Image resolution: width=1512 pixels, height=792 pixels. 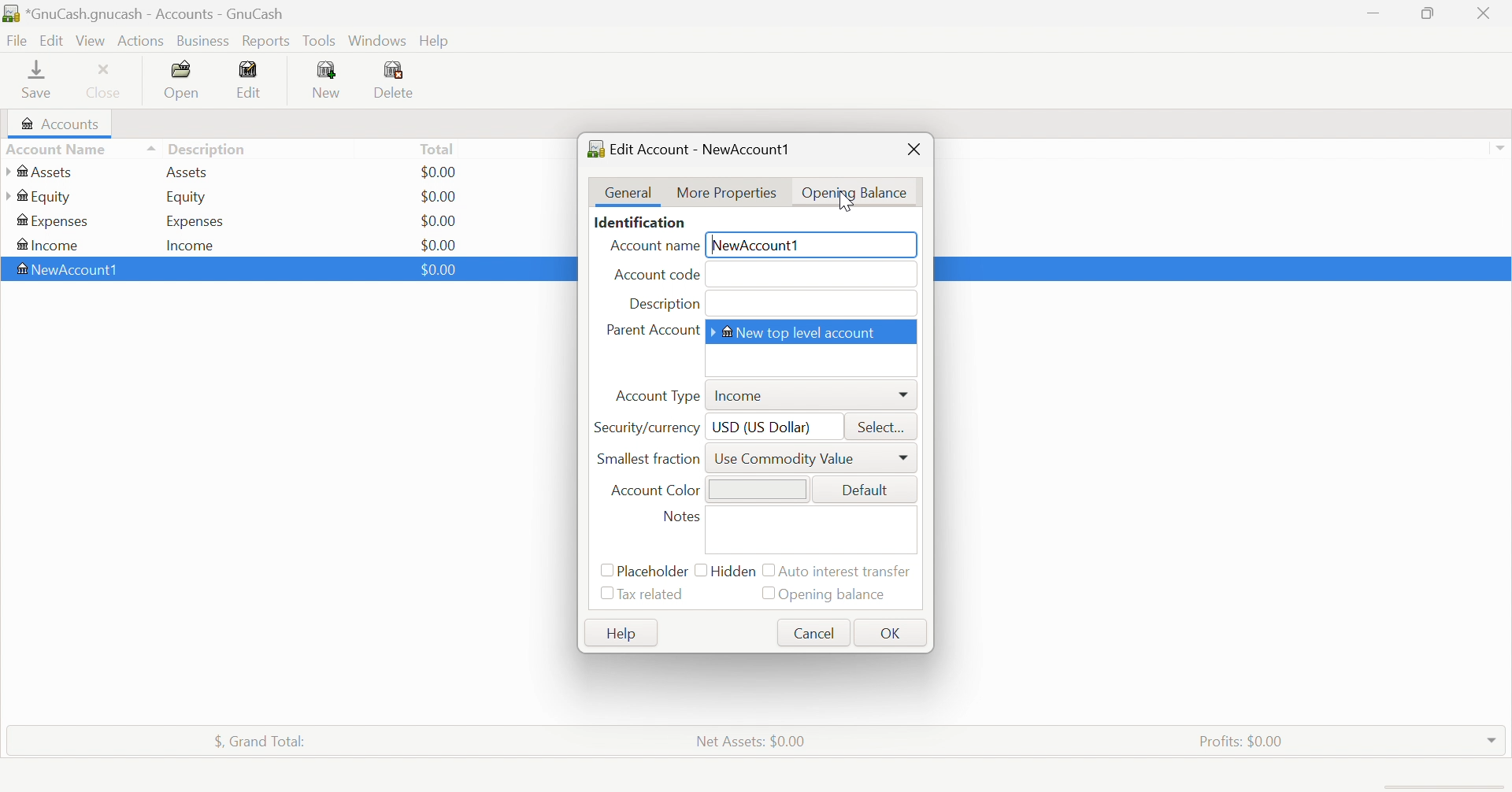 What do you see at coordinates (657, 395) in the screenshot?
I see `Account Type` at bounding box center [657, 395].